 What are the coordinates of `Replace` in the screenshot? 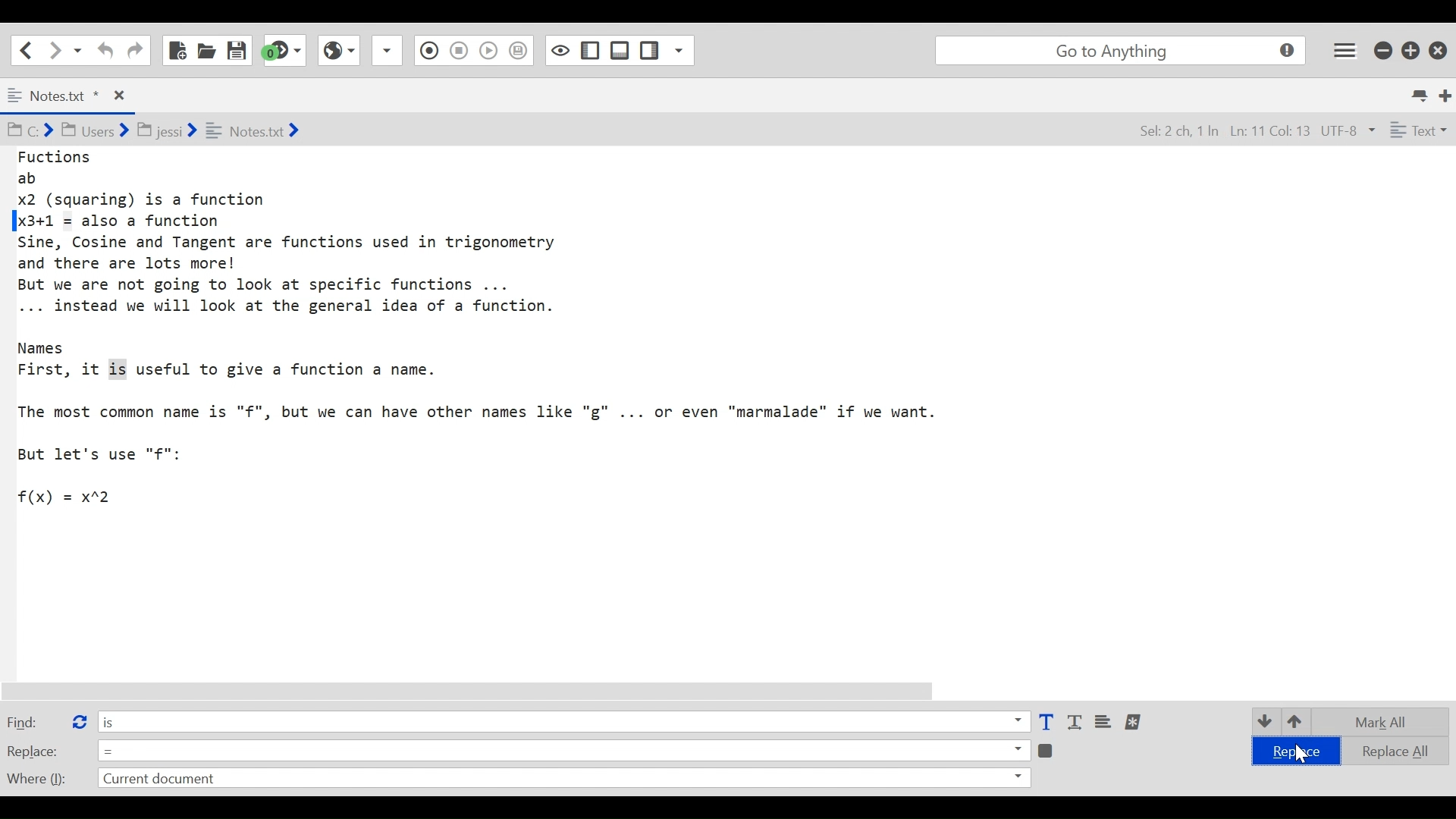 It's located at (1293, 752).